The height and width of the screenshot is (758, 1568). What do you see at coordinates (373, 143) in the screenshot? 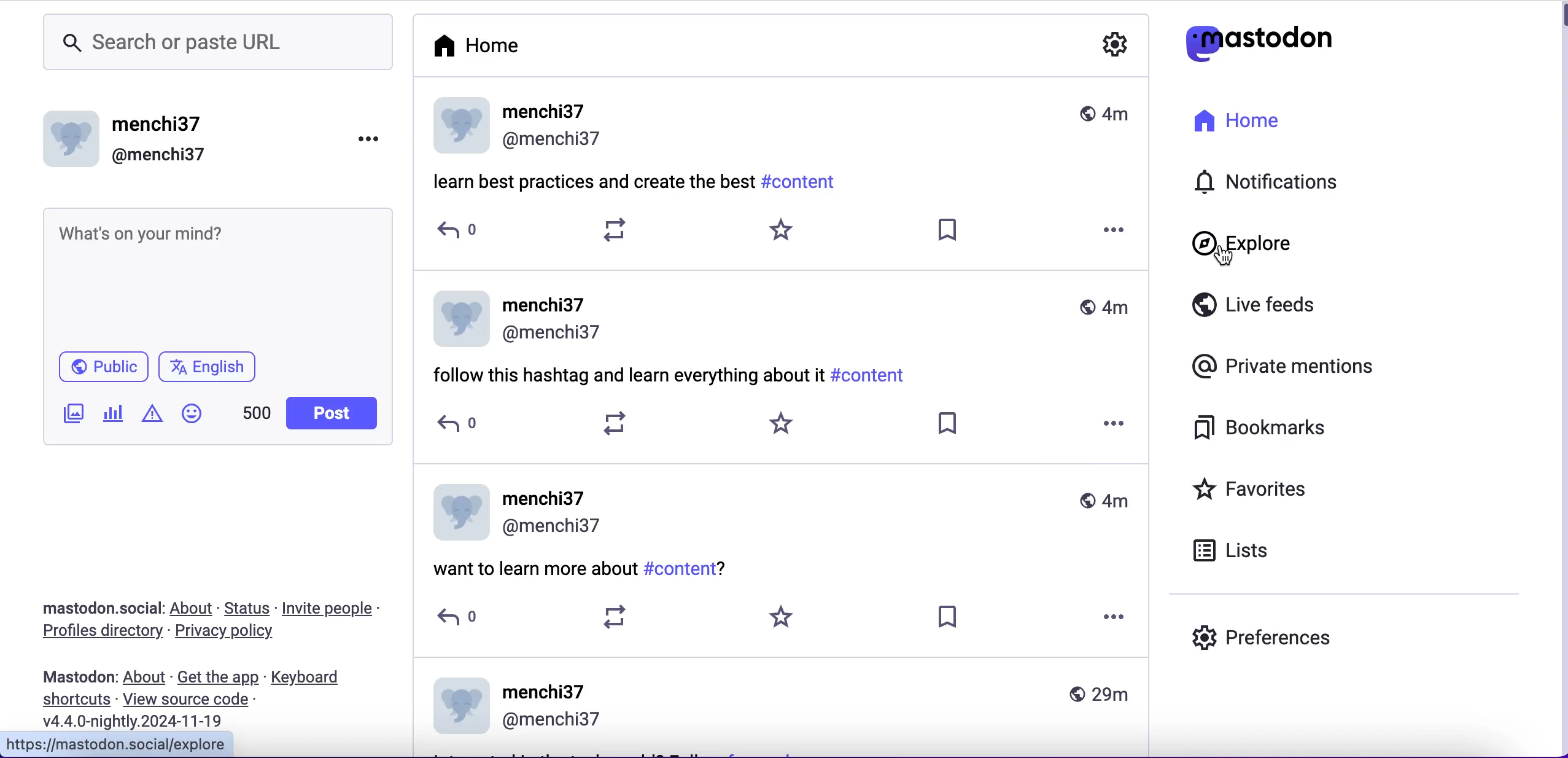
I see `options` at bounding box center [373, 143].